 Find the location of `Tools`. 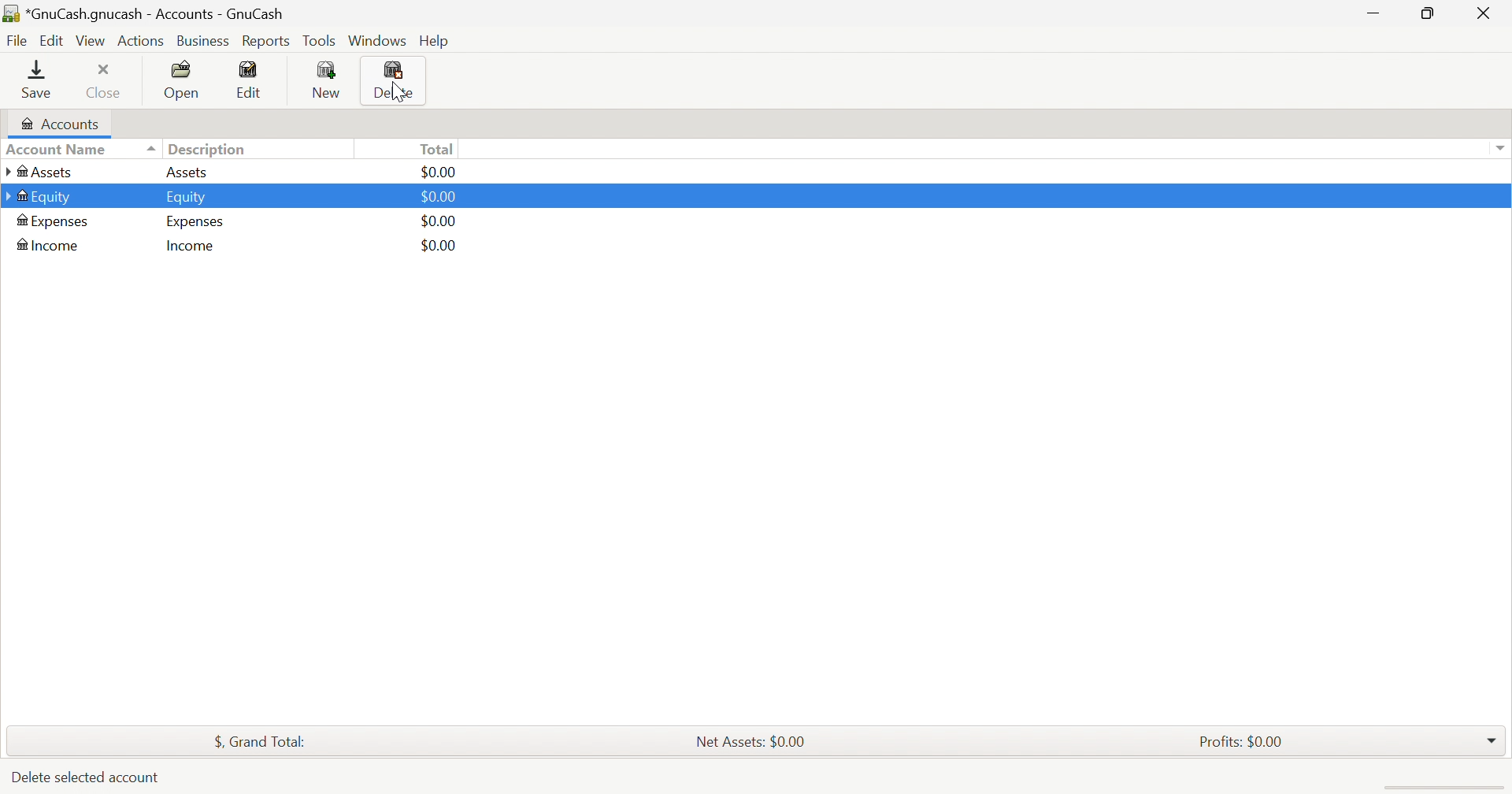

Tools is located at coordinates (321, 43).